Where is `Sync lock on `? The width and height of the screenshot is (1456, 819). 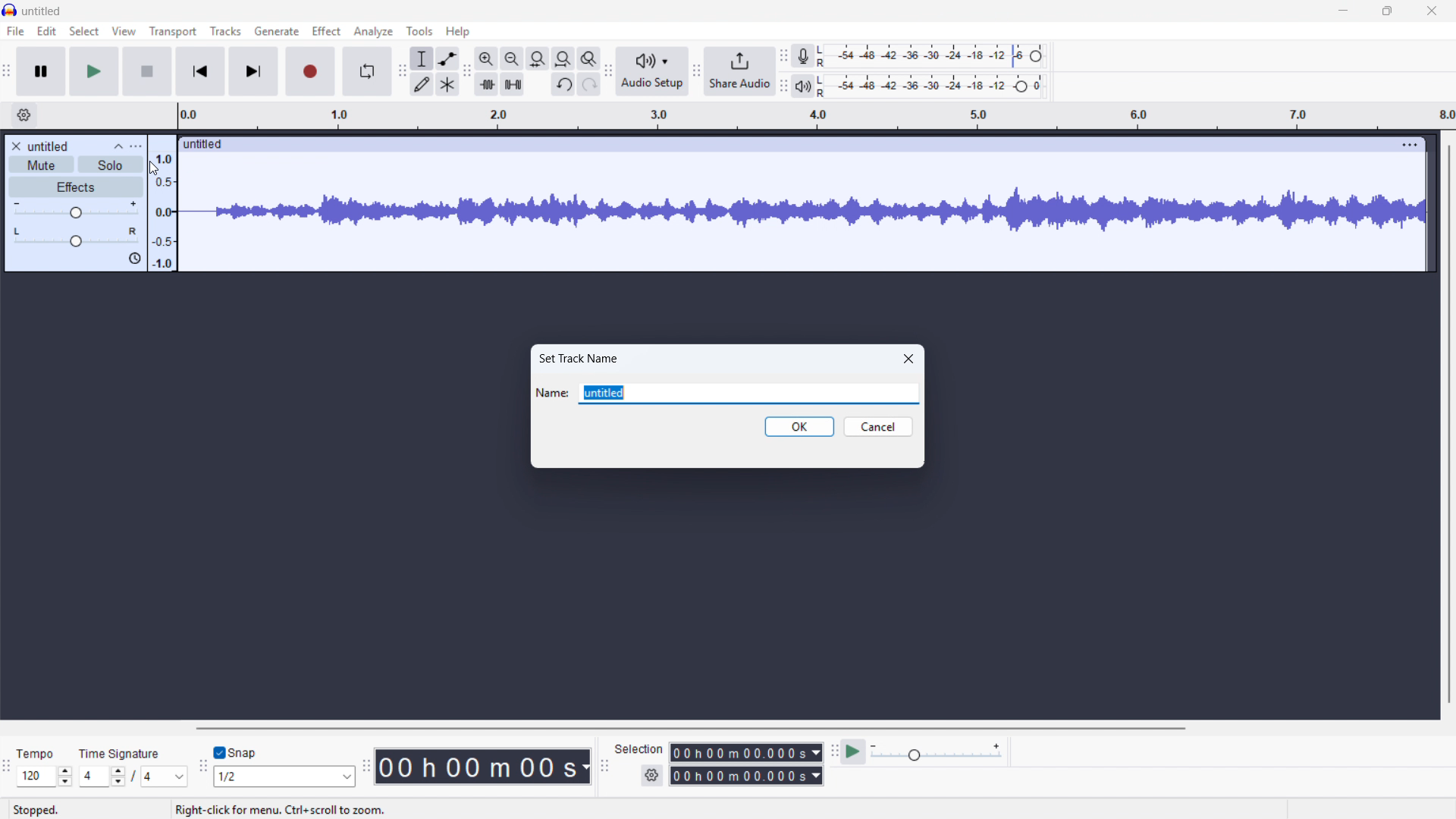
Sync lock on  is located at coordinates (135, 259).